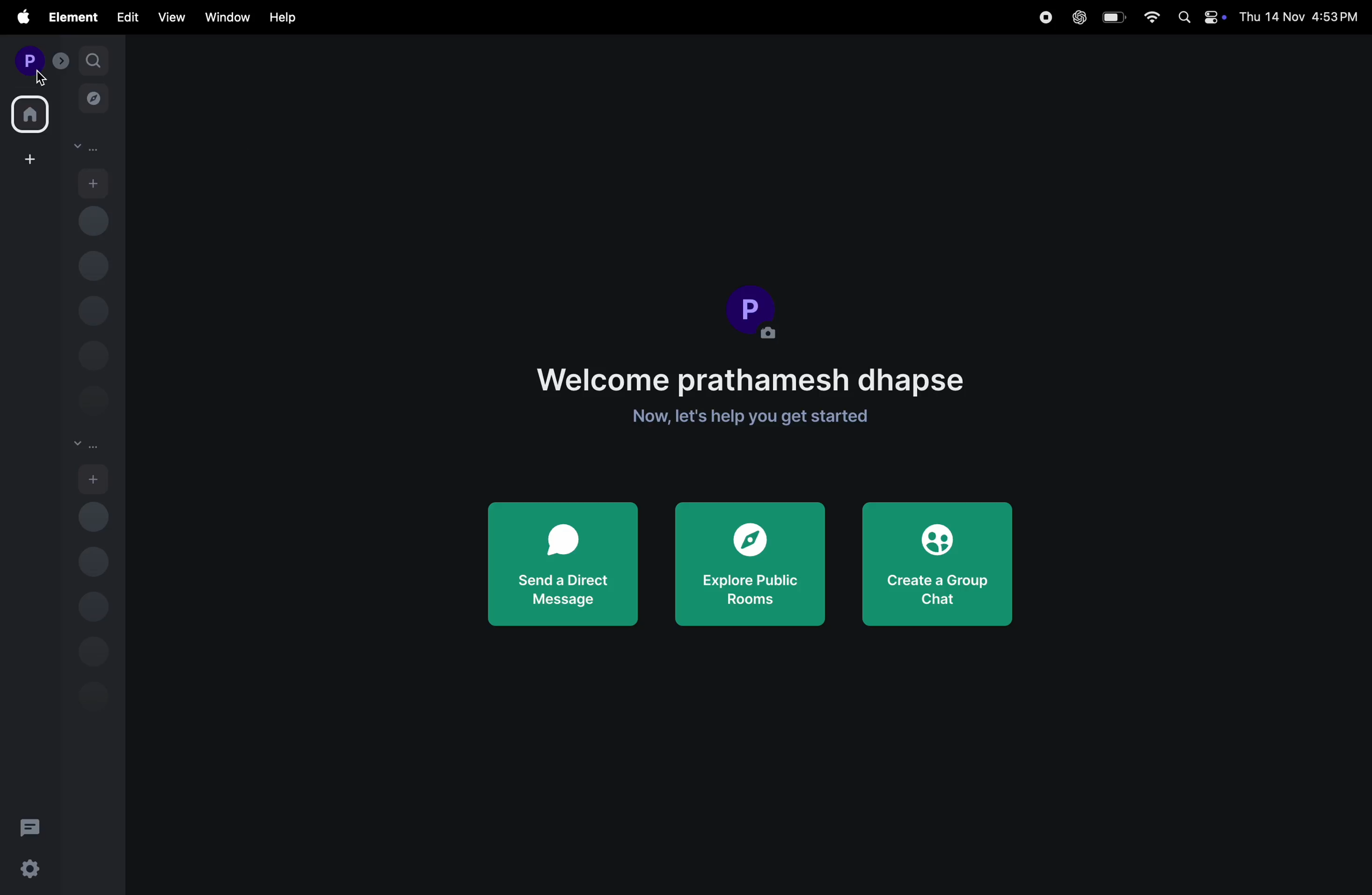 This screenshot has height=895, width=1372. What do you see at coordinates (91, 148) in the screenshot?
I see `People` at bounding box center [91, 148].